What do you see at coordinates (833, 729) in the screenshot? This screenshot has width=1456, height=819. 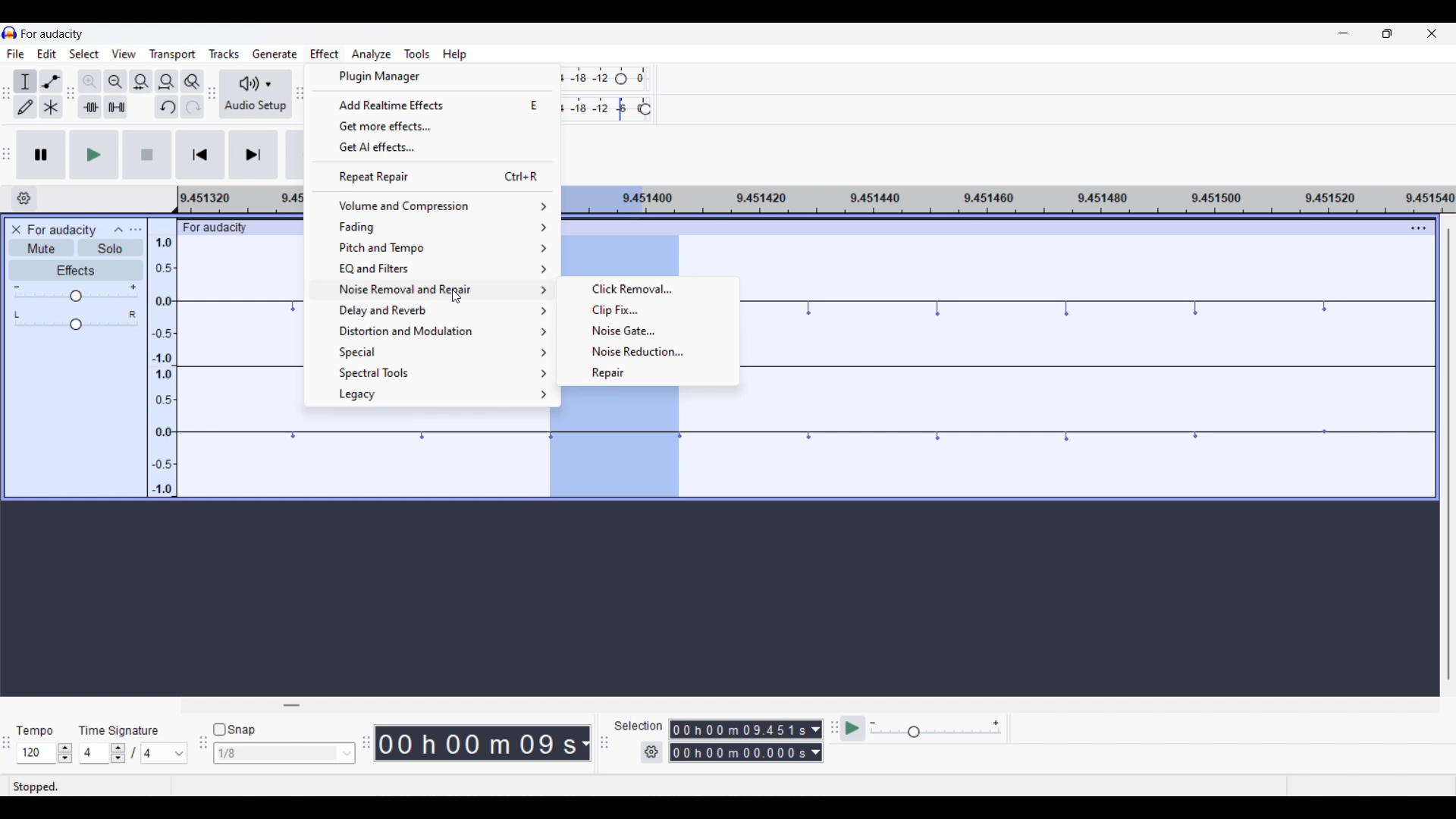 I see `Play at speed toolbar` at bounding box center [833, 729].